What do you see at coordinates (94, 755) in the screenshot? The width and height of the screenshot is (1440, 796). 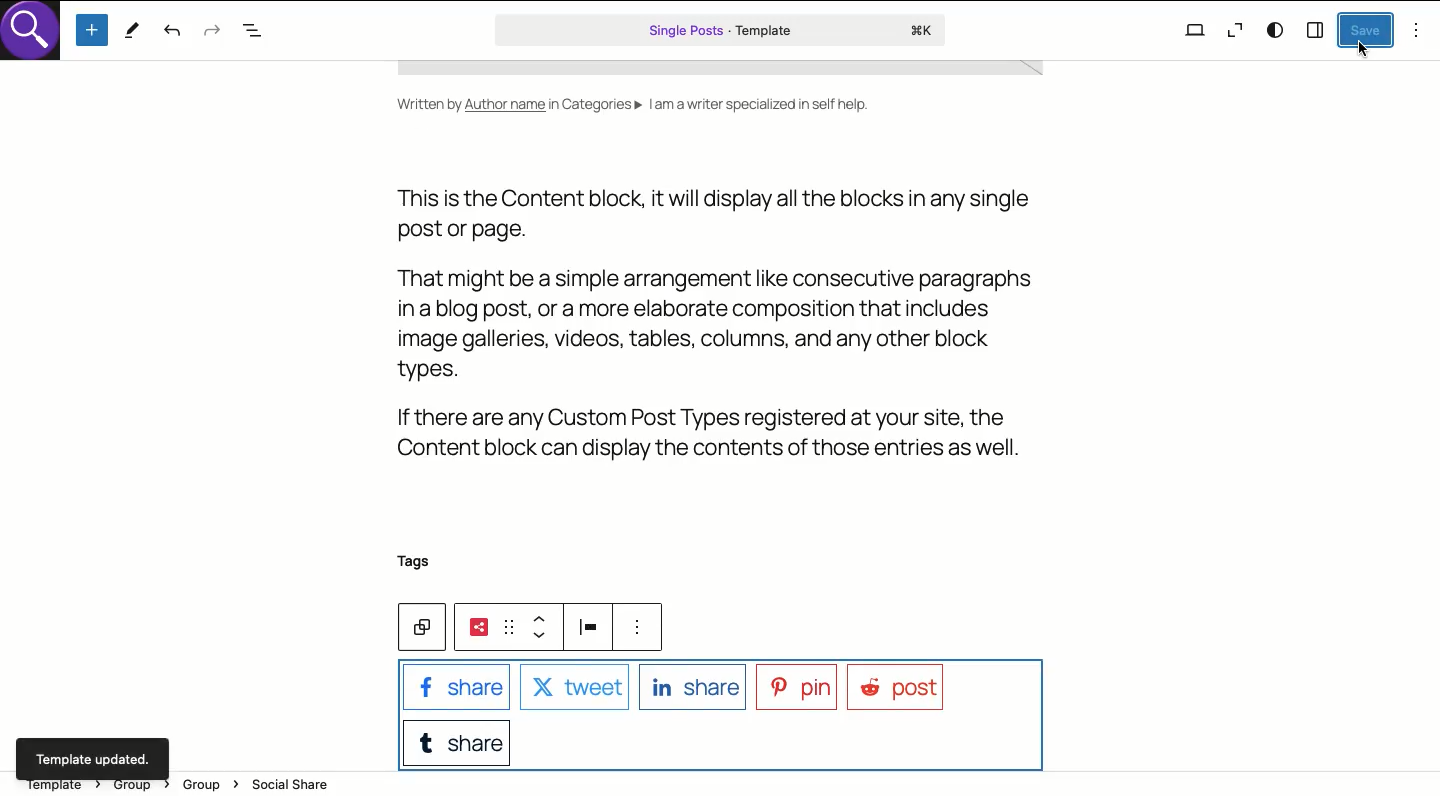 I see `Template updated` at bounding box center [94, 755].